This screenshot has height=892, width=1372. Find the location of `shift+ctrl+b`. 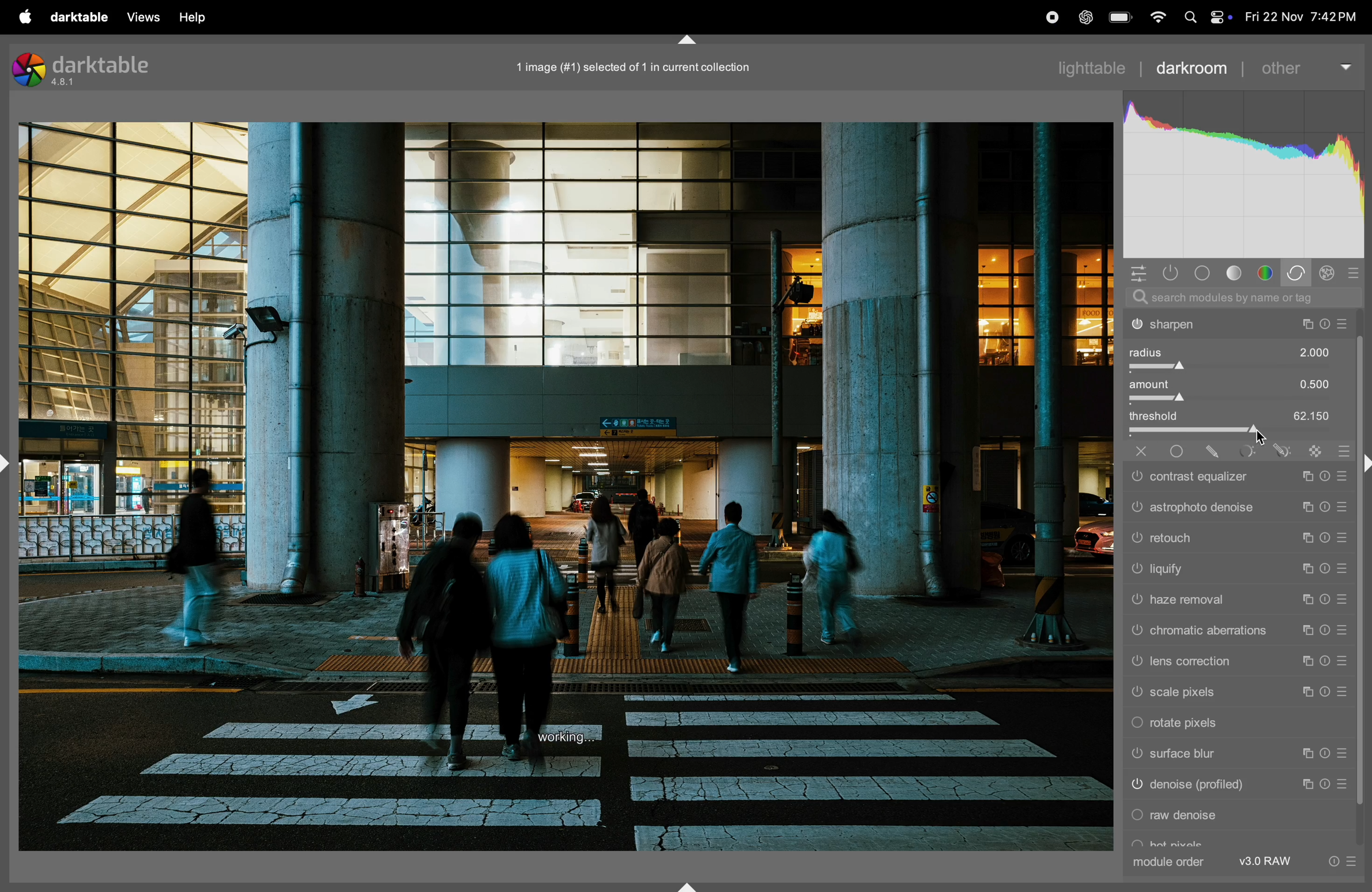

shift+ctrl+b is located at coordinates (688, 885).